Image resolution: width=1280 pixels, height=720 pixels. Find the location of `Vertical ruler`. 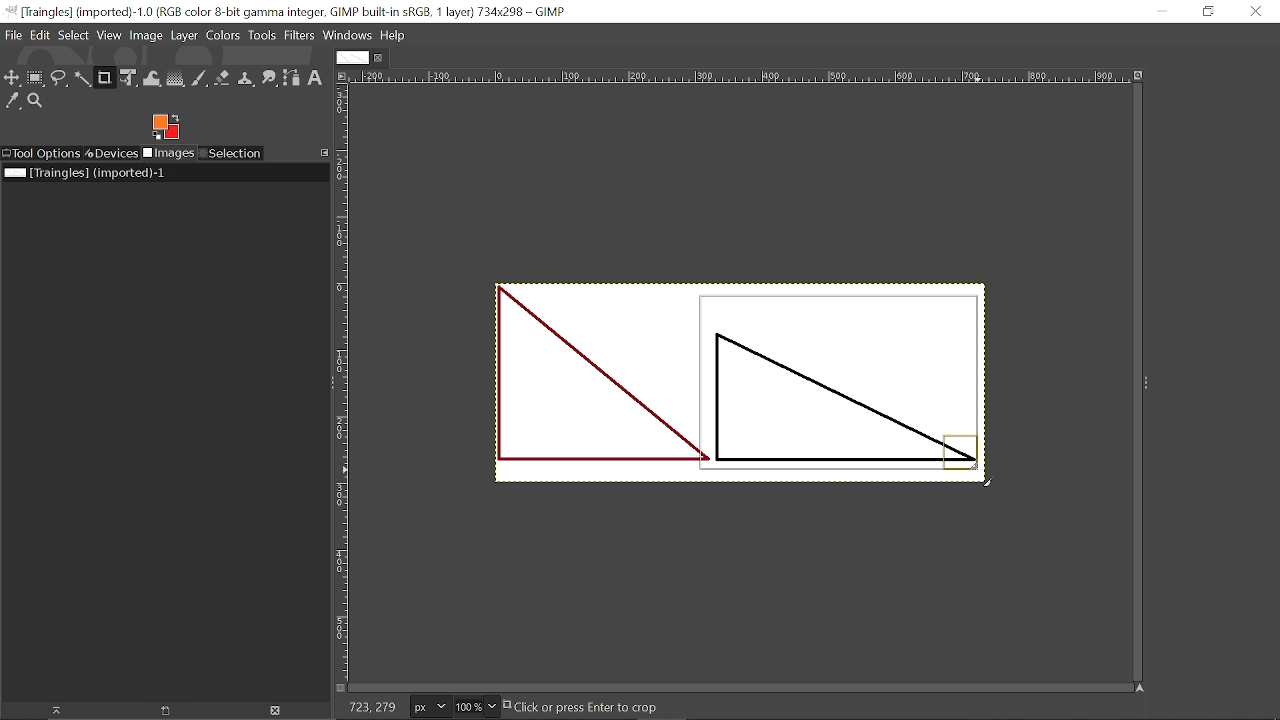

Vertical ruler is located at coordinates (342, 381).